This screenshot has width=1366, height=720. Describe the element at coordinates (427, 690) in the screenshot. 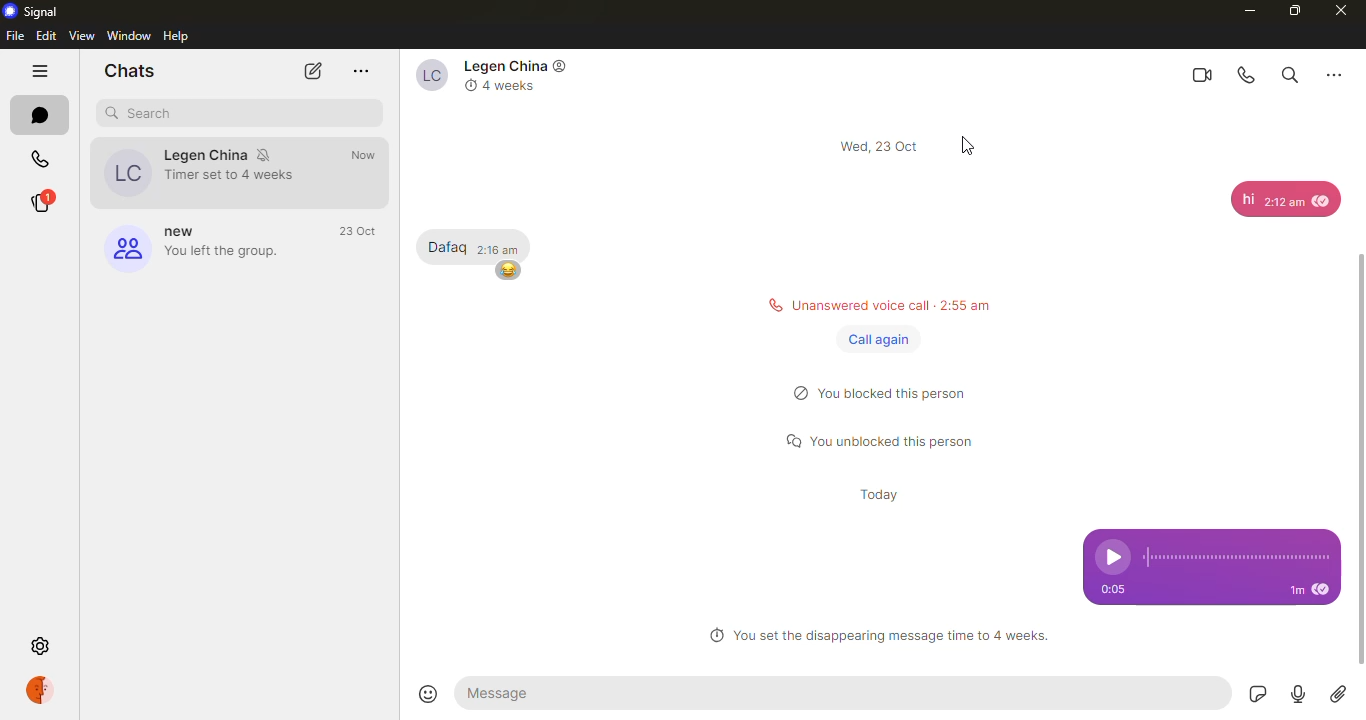

I see `emoji` at that location.